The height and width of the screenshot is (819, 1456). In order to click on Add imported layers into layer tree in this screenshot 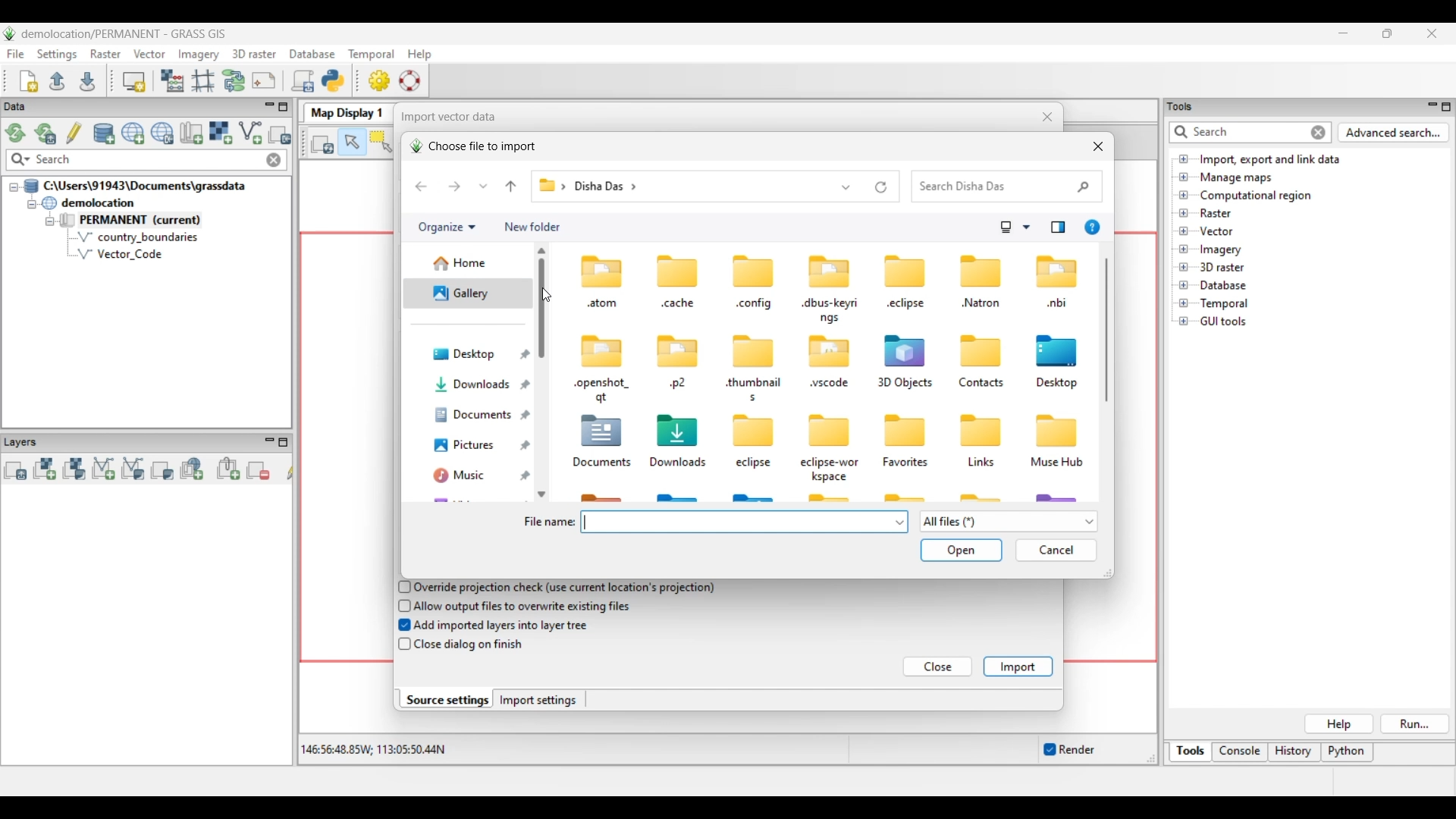, I will do `click(503, 625)`.